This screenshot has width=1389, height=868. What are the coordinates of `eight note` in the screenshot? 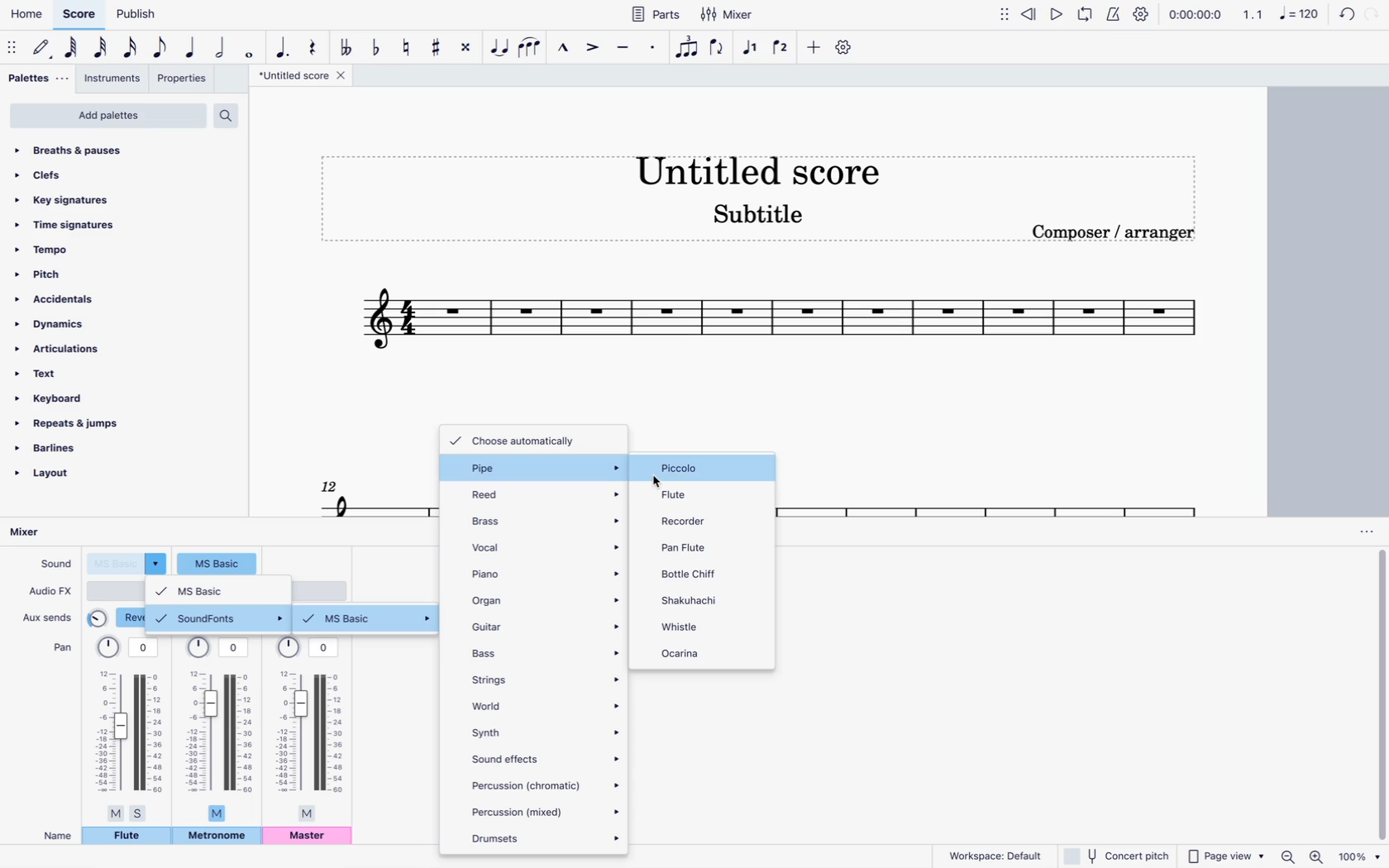 It's located at (161, 50).